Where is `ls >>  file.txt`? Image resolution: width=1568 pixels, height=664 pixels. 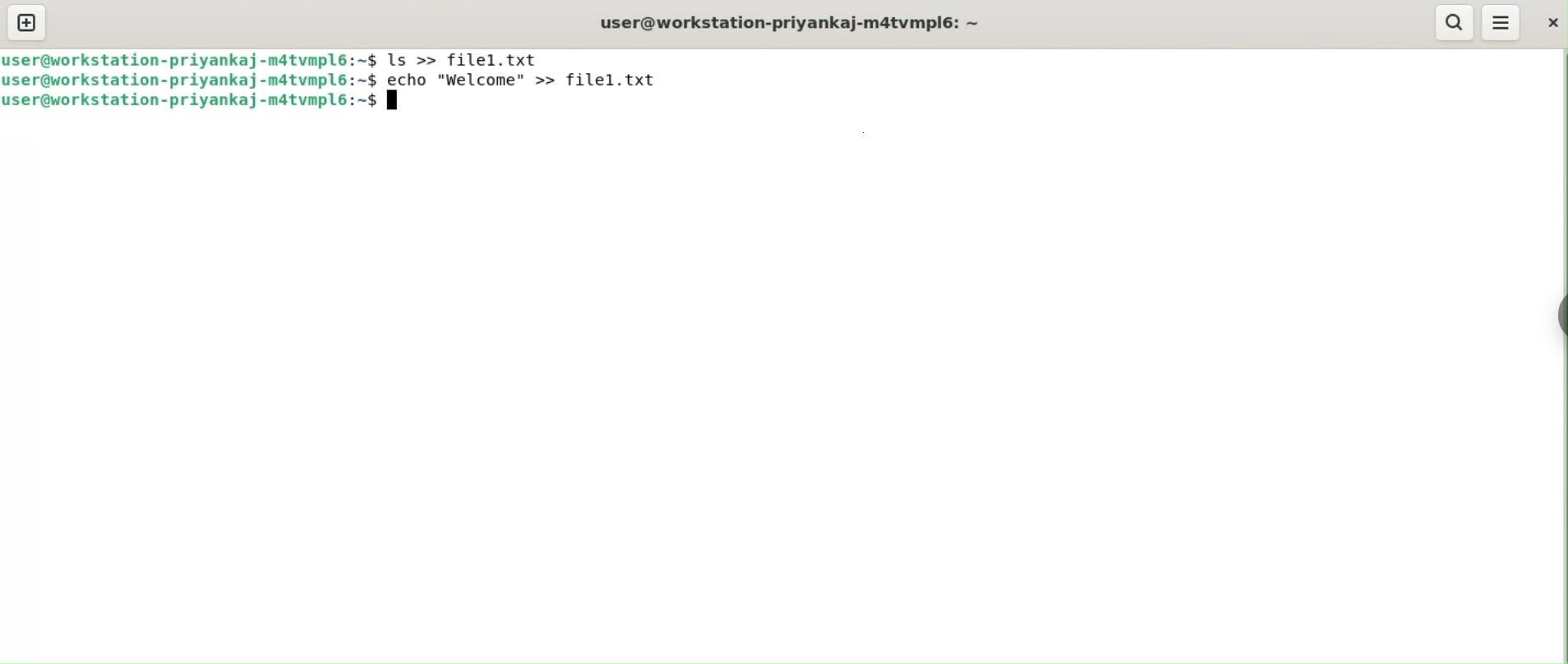
ls >>  file.txt is located at coordinates (466, 58).